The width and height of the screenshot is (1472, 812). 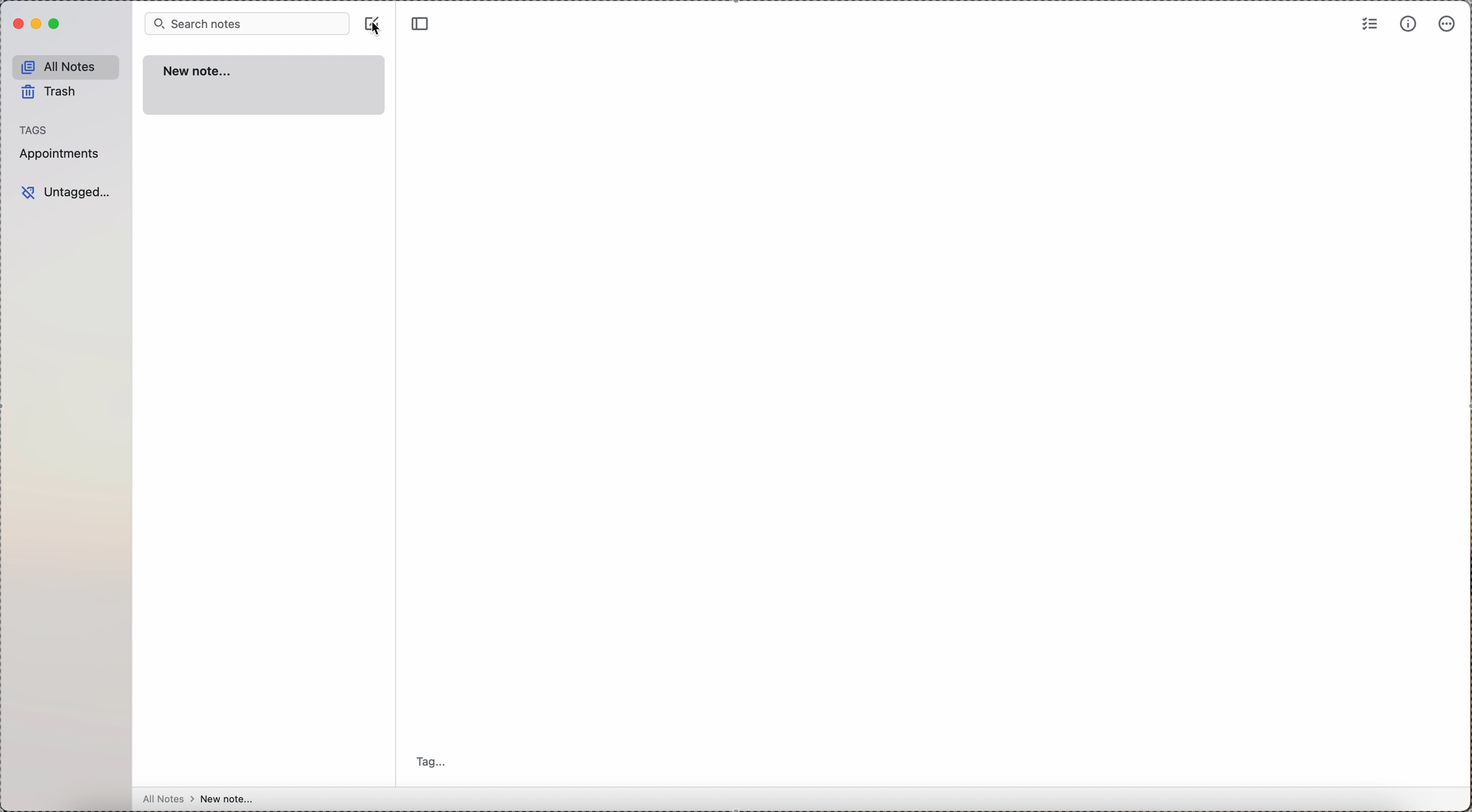 I want to click on new note, so click(x=267, y=86).